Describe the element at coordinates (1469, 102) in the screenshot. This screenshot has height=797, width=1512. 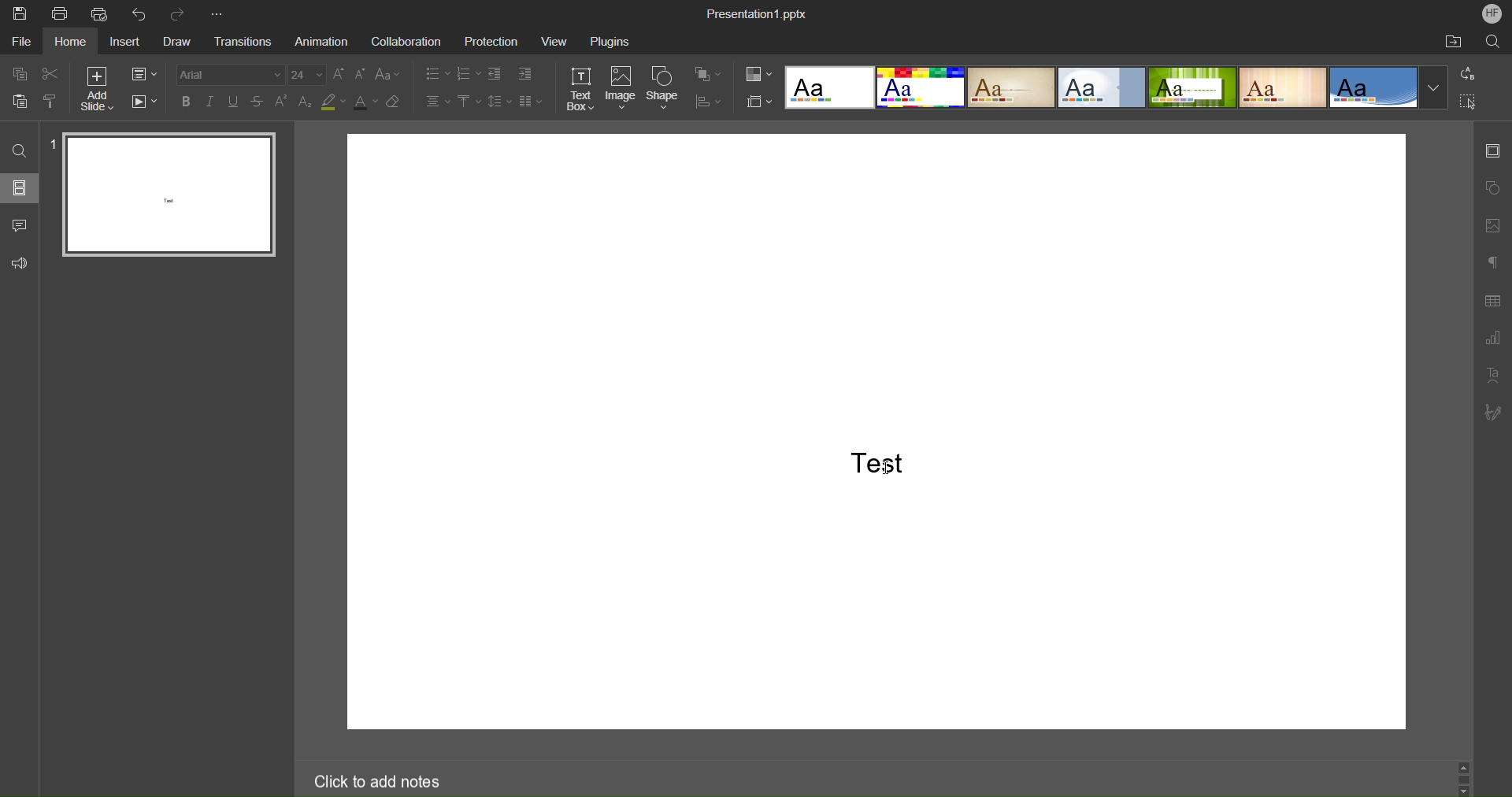
I see `Select` at that location.